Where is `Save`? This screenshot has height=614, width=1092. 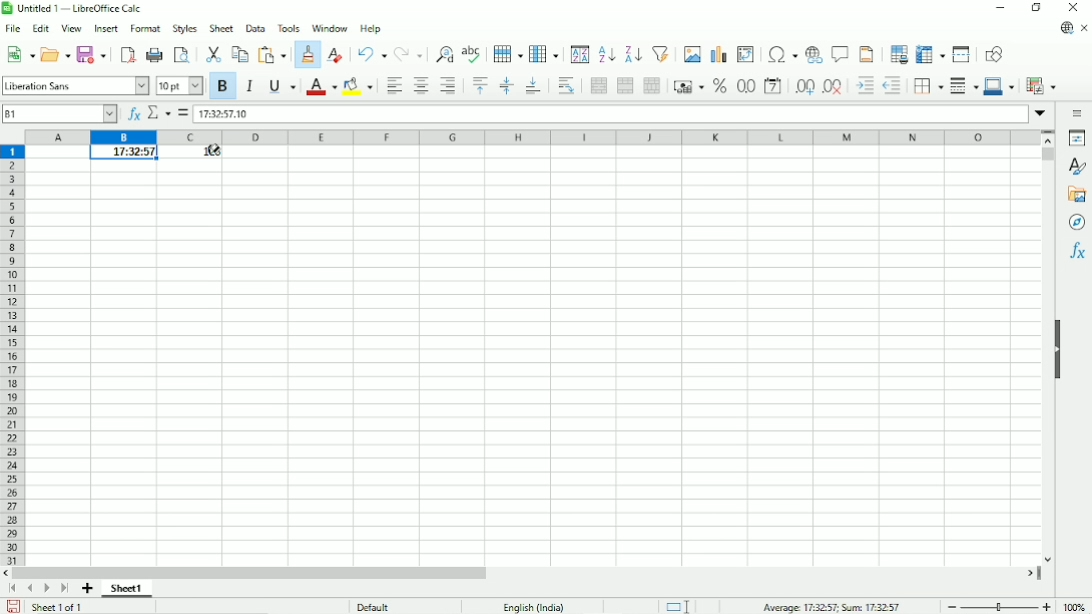 Save is located at coordinates (91, 54).